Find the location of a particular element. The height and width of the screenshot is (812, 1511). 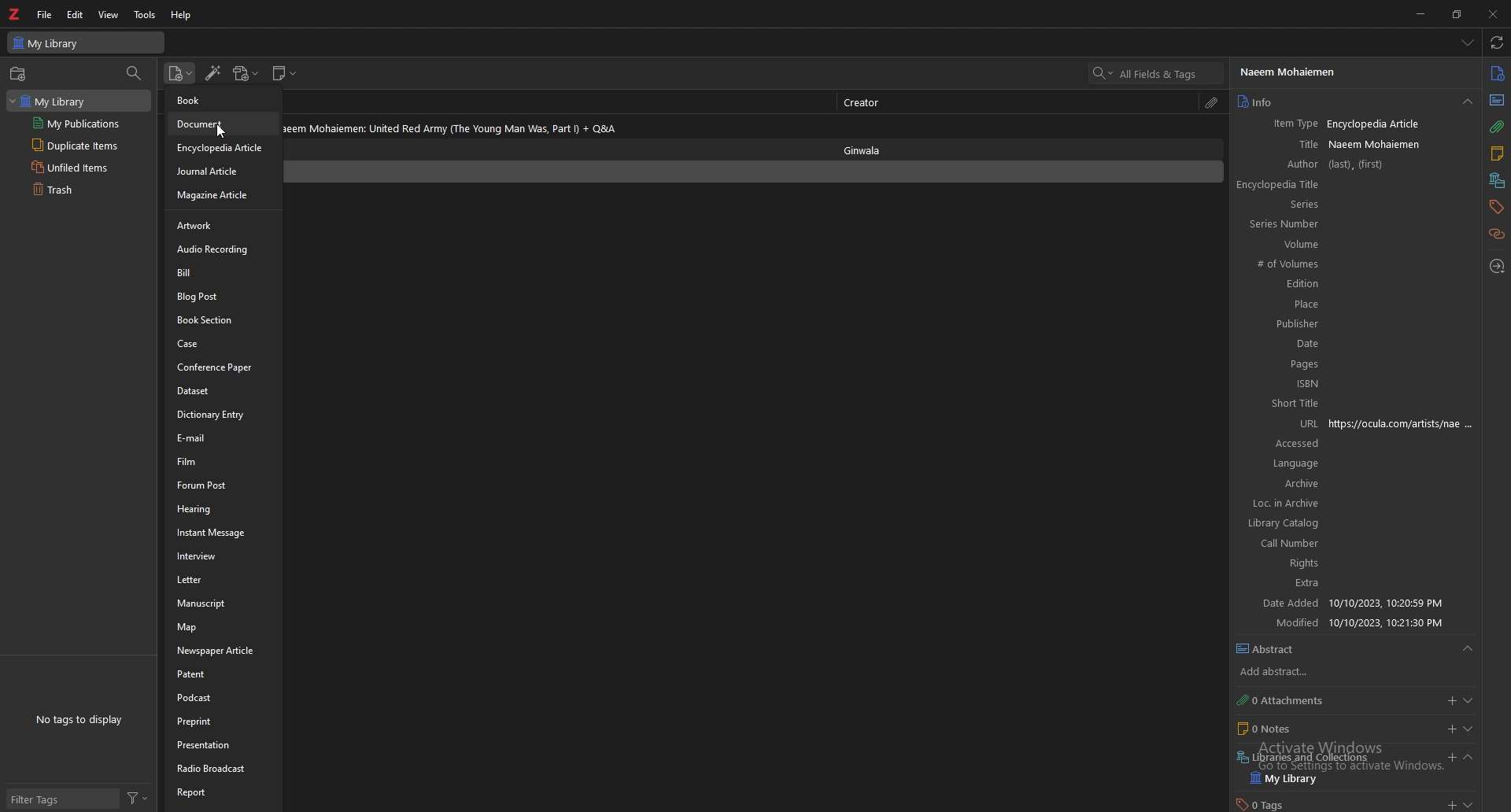

add abstract is located at coordinates (1354, 672).